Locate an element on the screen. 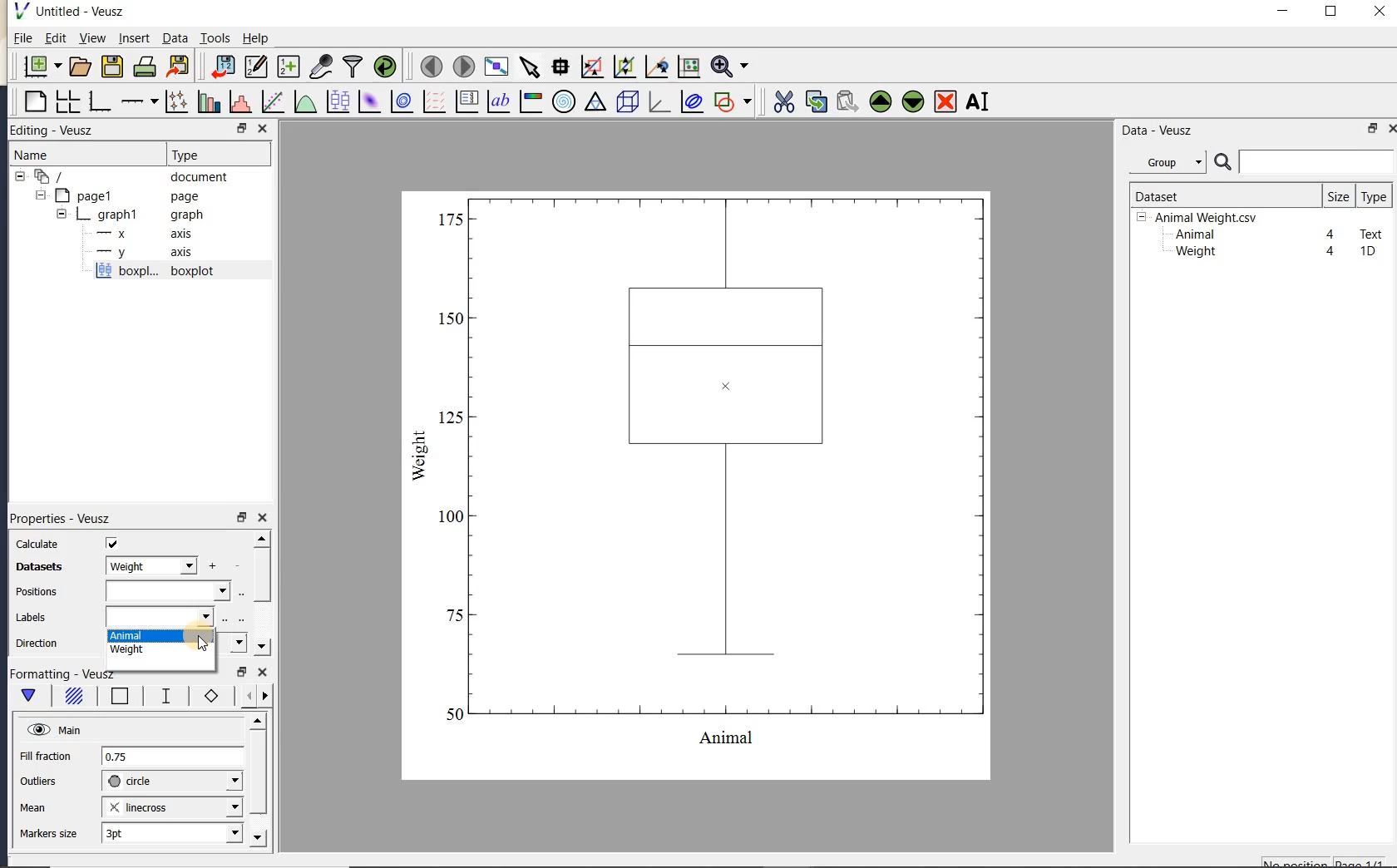 The image size is (1397, 868). add a shape to the plot is located at coordinates (732, 101).